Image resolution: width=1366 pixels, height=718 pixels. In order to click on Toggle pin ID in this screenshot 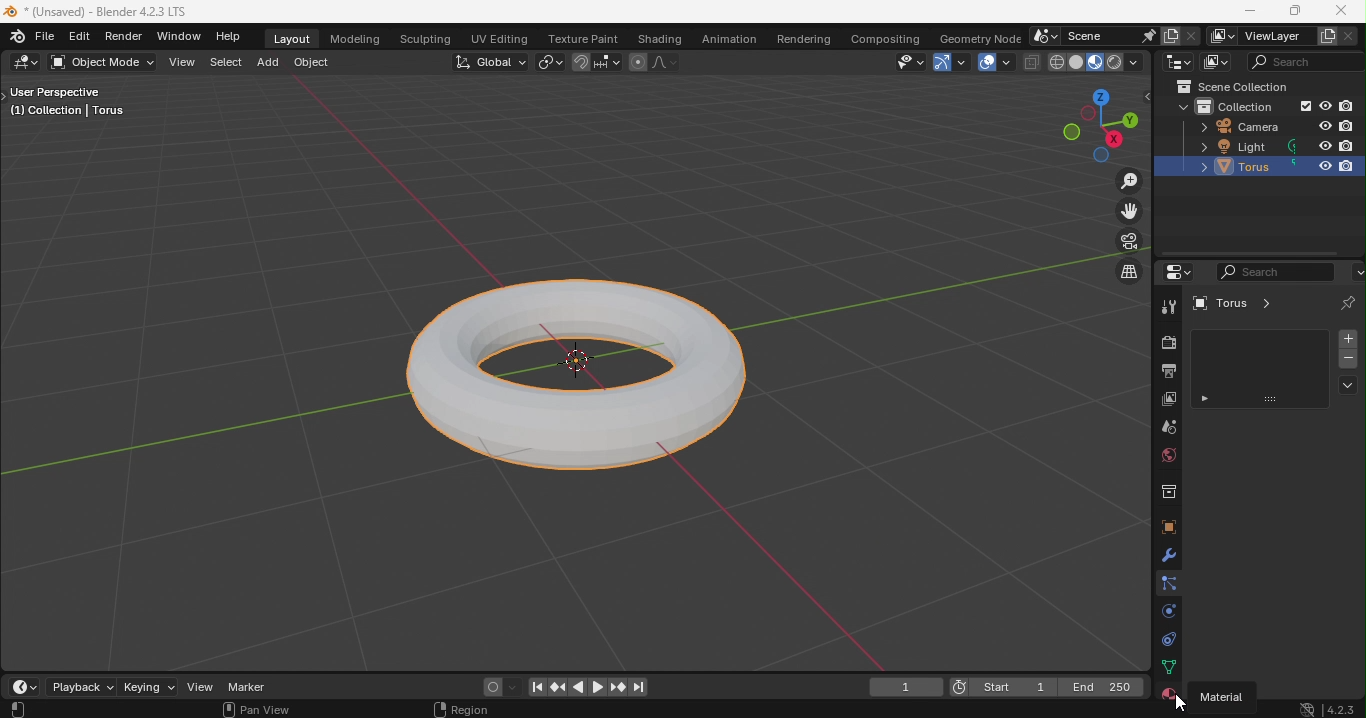, I will do `click(1350, 303)`.